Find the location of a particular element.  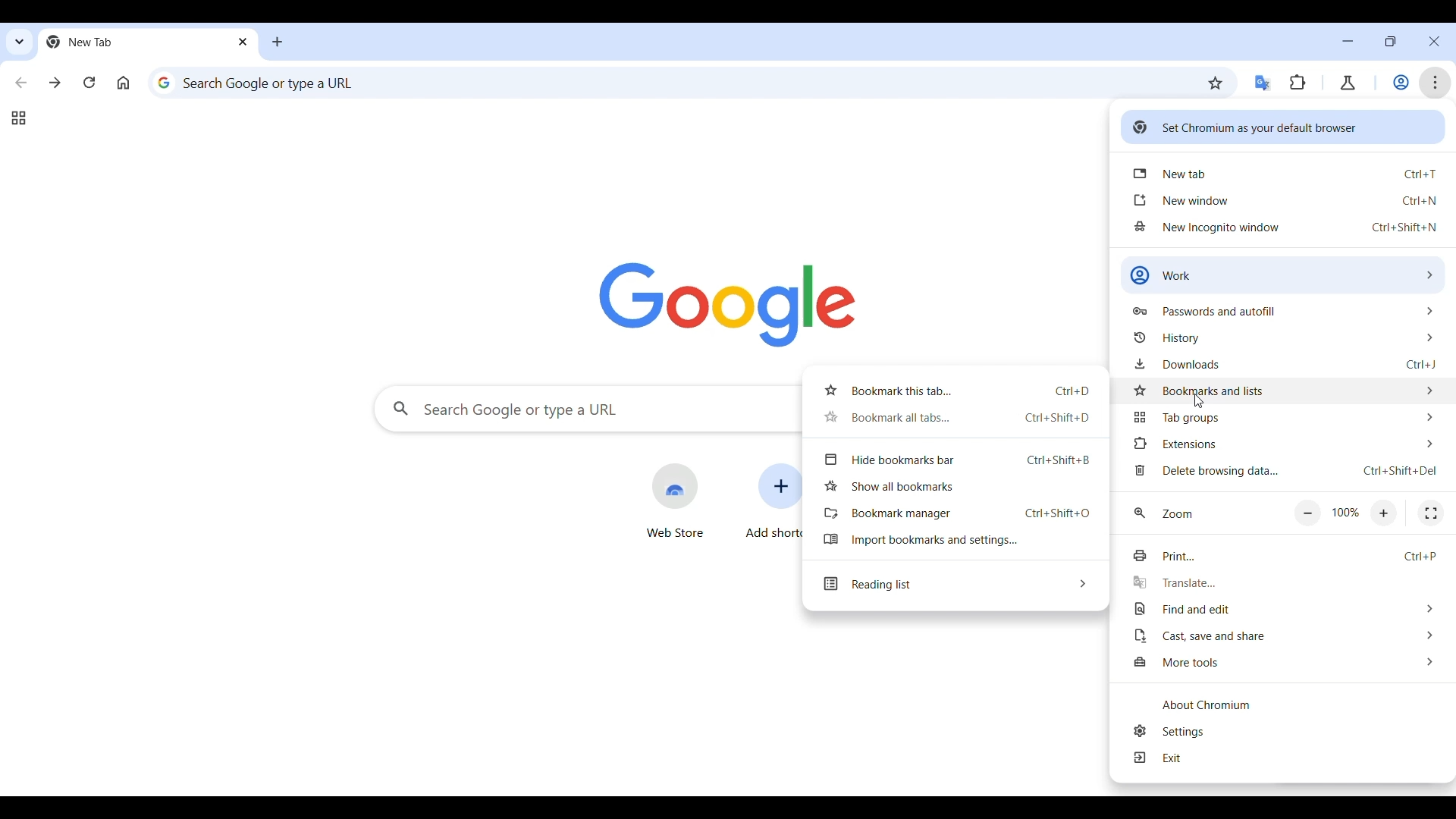

new window is located at coordinates (1286, 200).